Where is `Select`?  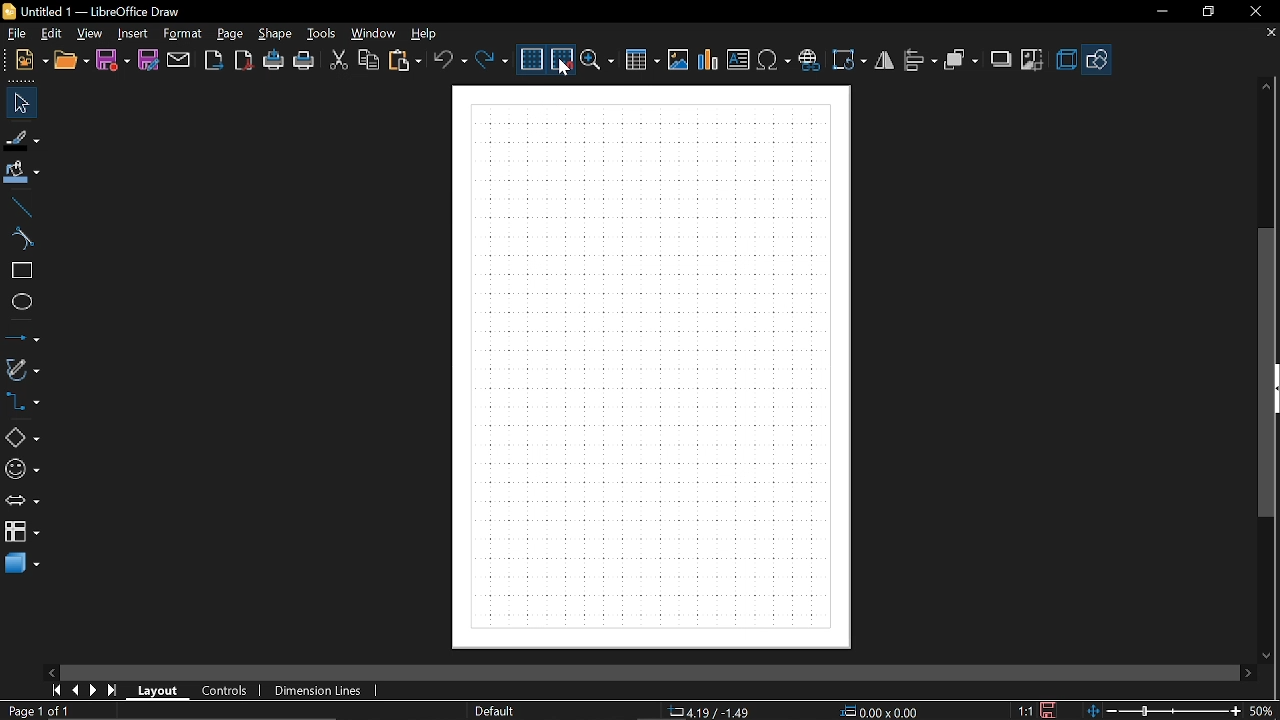
Select is located at coordinates (18, 103).